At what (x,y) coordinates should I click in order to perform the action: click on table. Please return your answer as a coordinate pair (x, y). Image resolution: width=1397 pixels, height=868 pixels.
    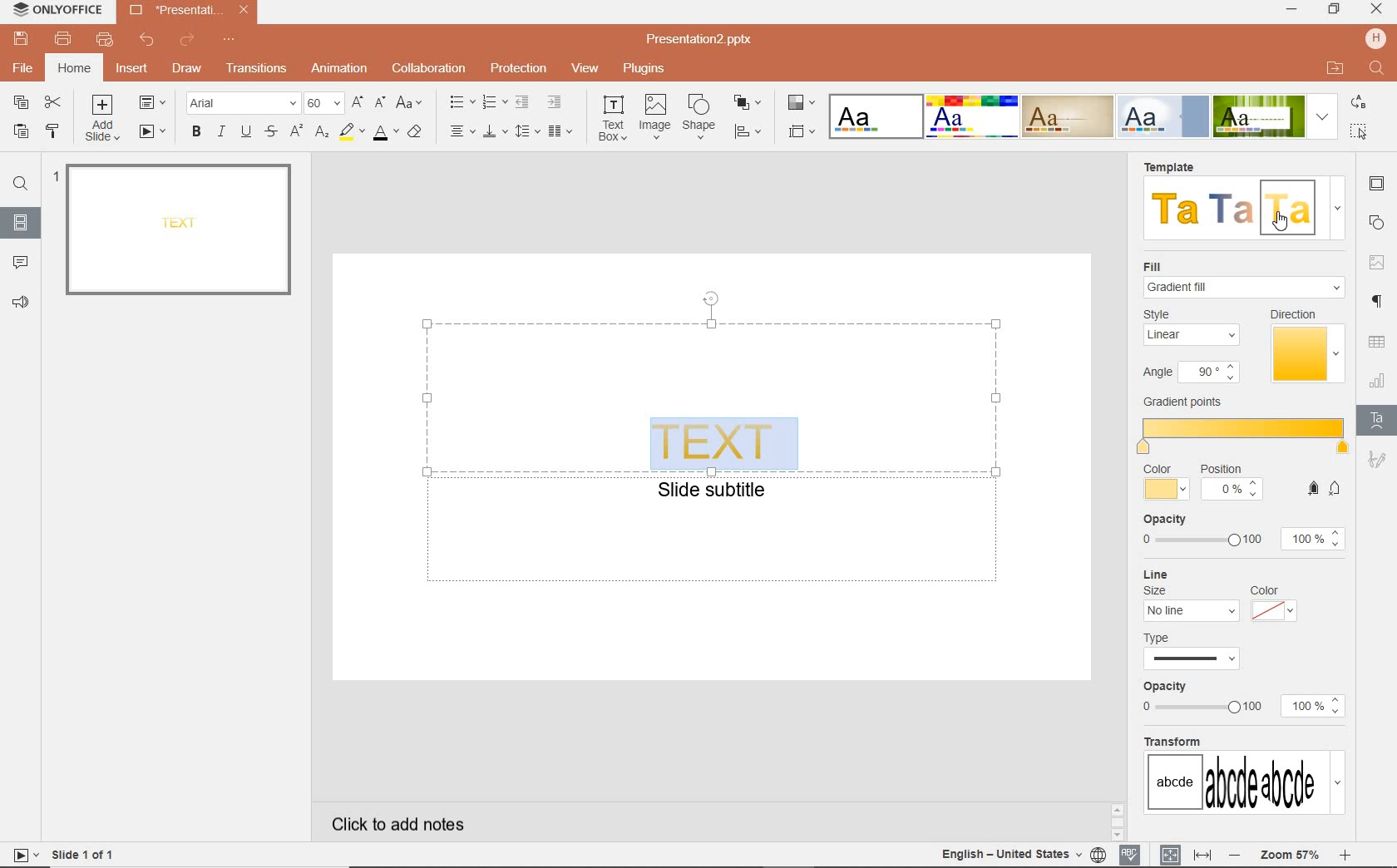
    Looking at the image, I should click on (1378, 343).